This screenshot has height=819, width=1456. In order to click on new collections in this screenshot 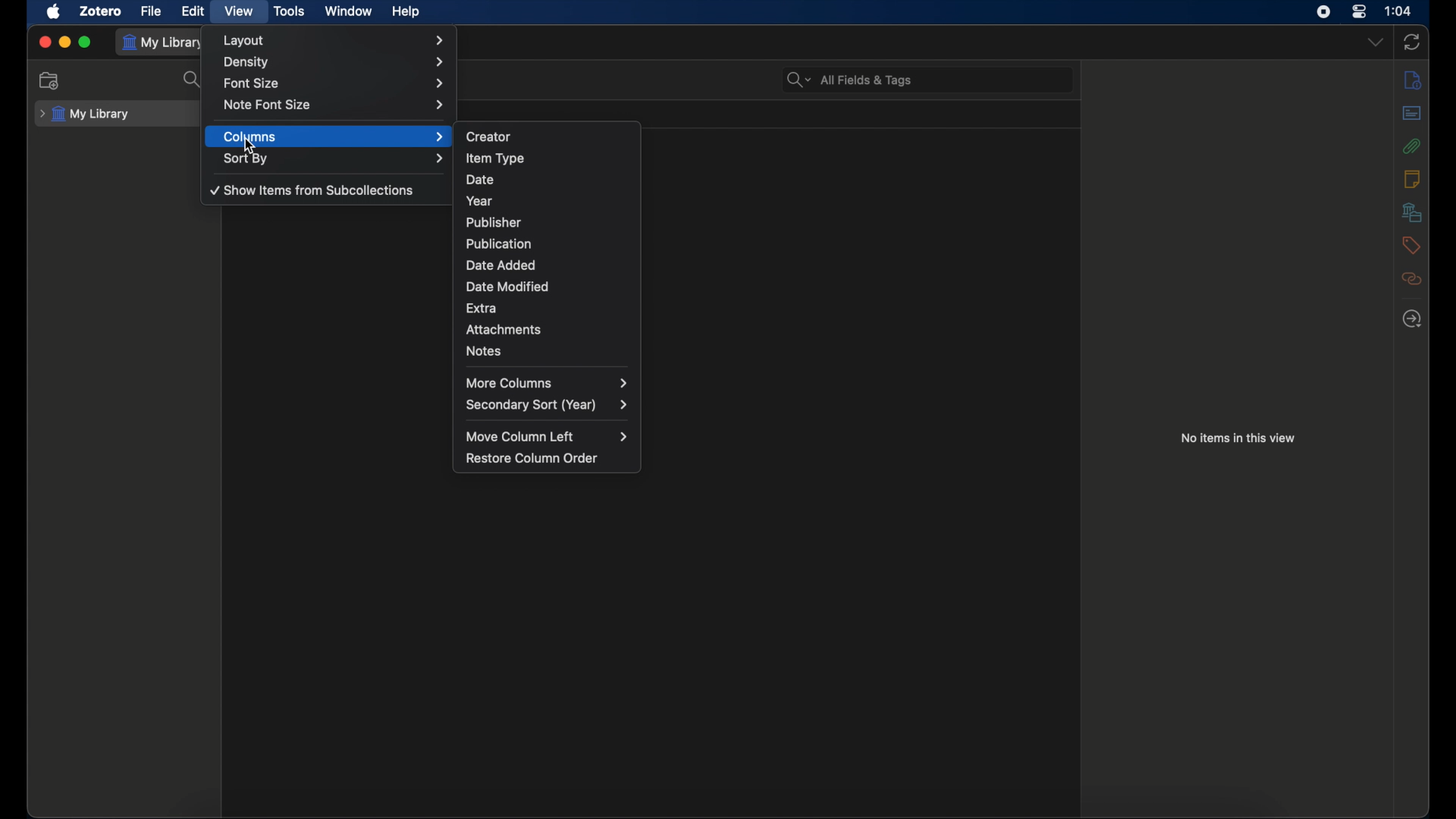, I will do `click(50, 80)`.